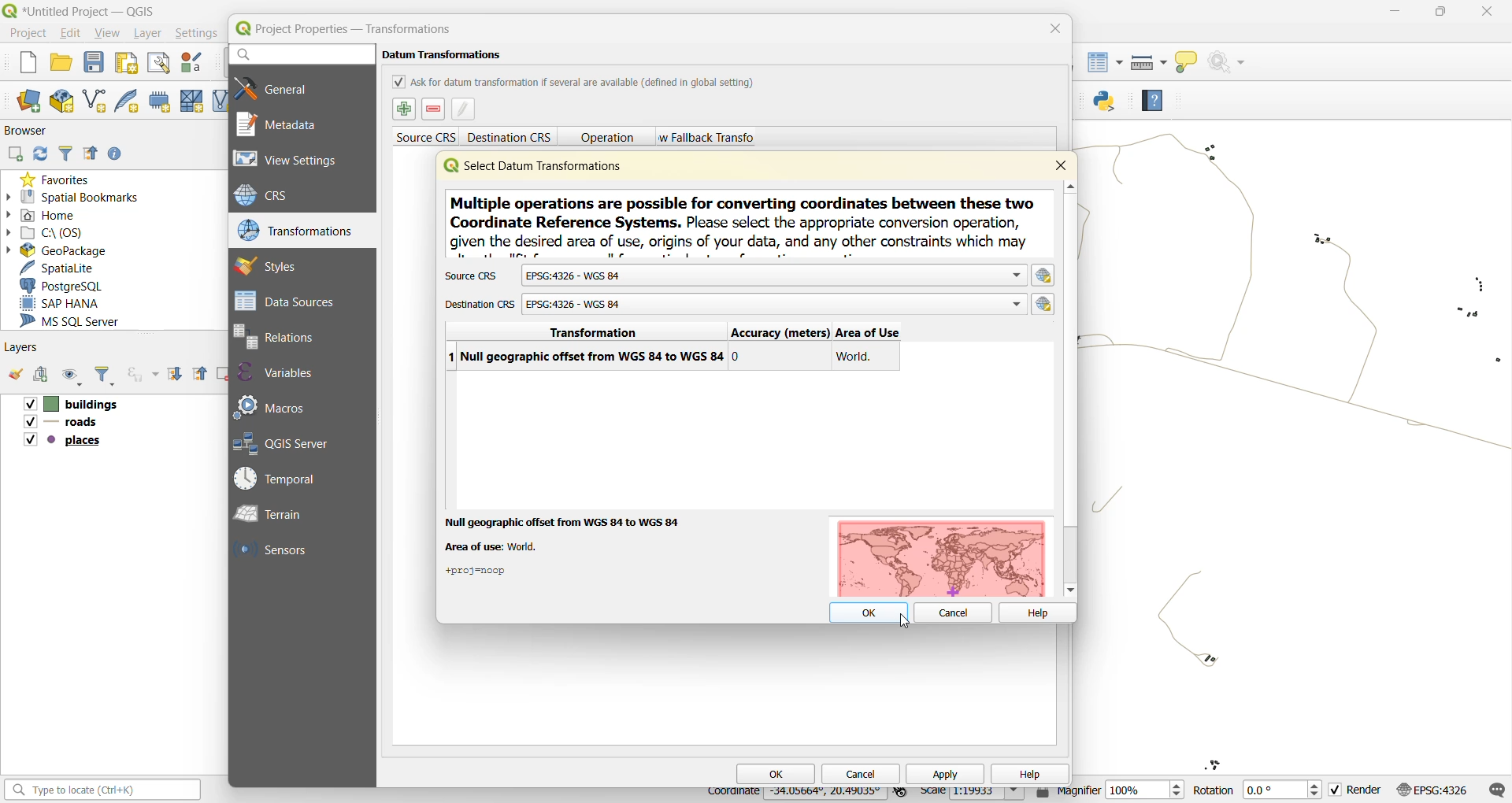 Image resolution: width=1512 pixels, height=803 pixels. What do you see at coordinates (141, 375) in the screenshot?
I see `filter by experience` at bounding box center [141, 375].